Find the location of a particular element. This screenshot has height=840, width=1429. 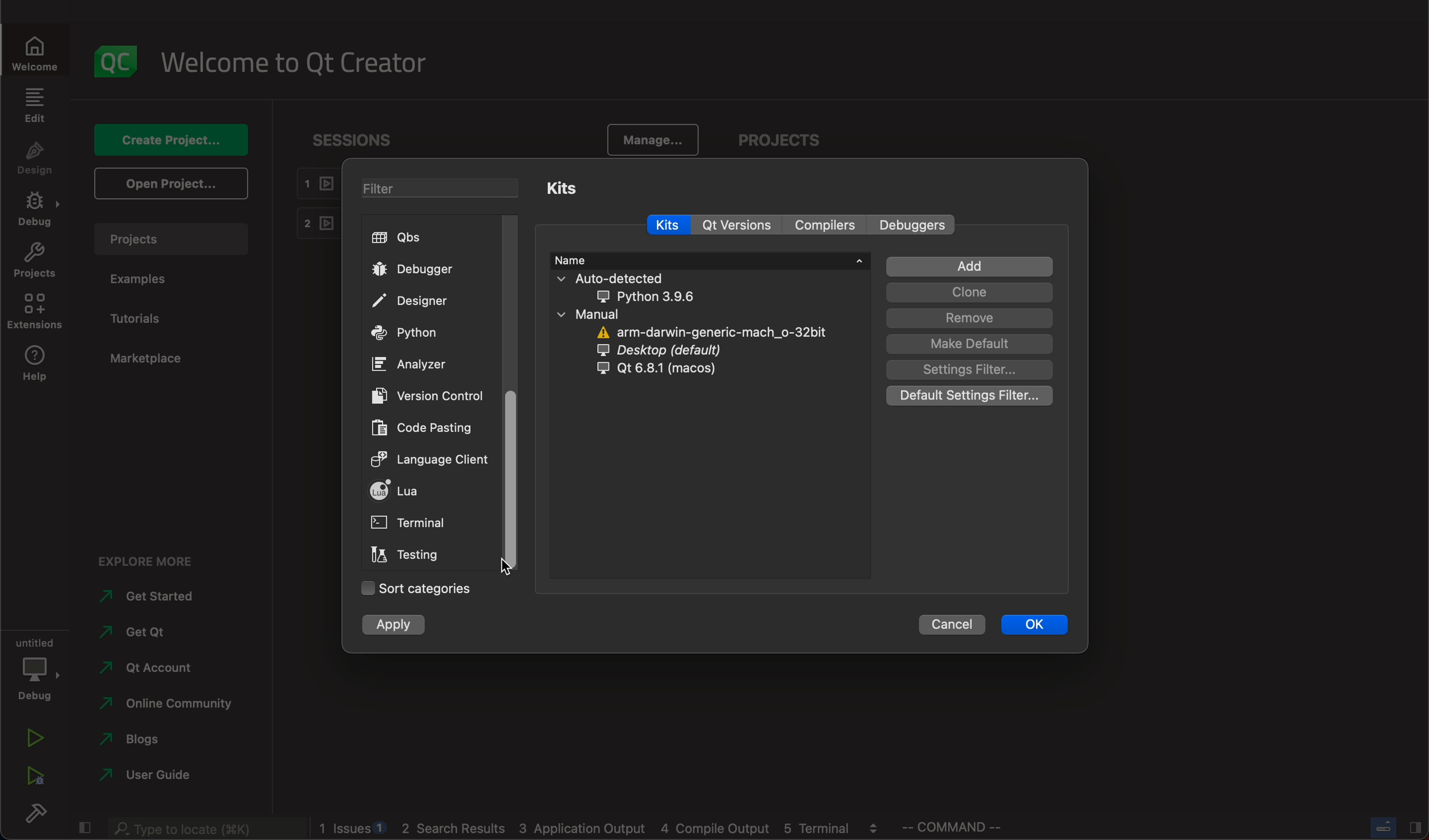

help is located at coordinates (36, 366).